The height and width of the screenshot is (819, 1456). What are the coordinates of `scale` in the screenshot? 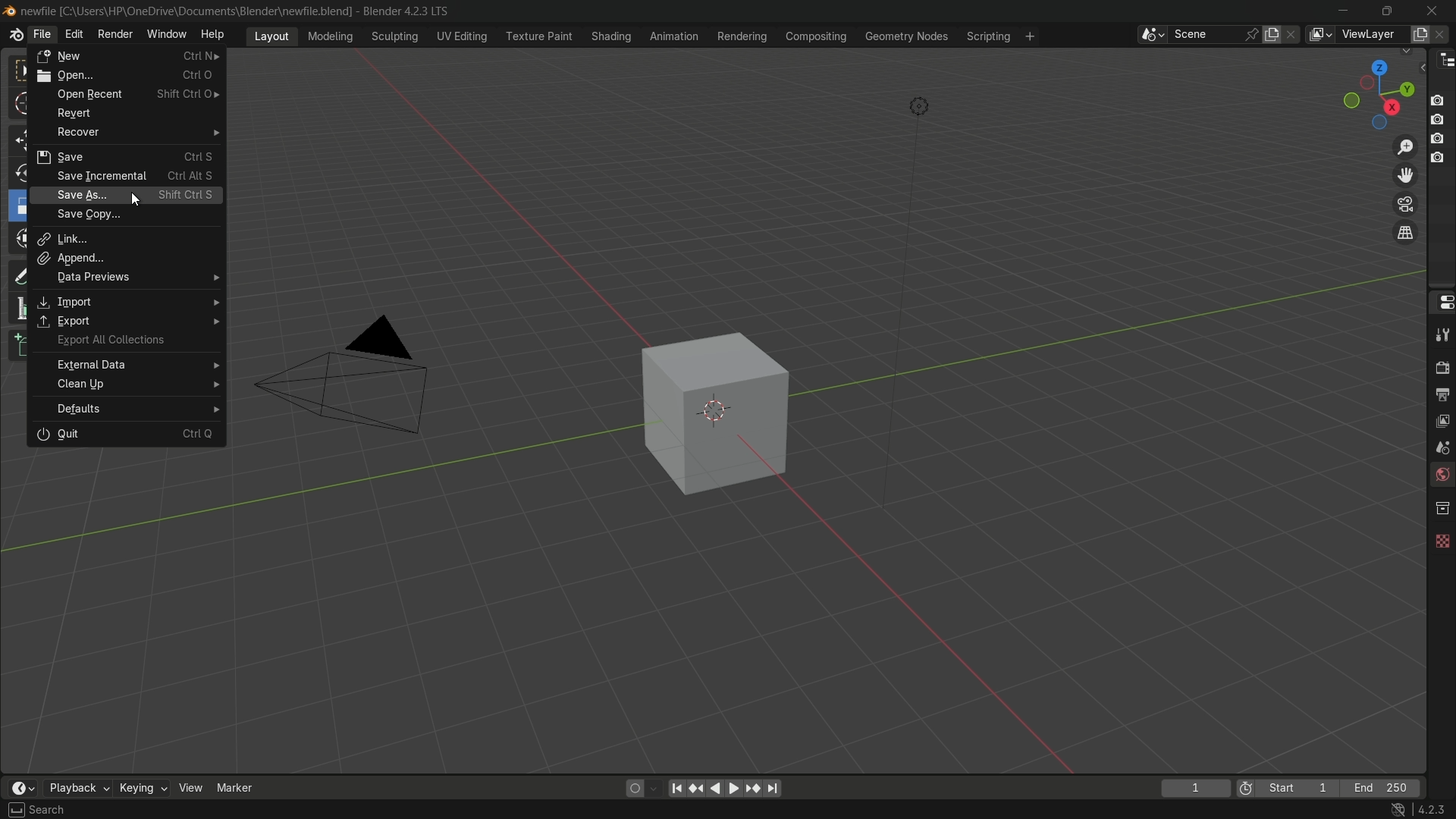 It's located at (21, 206).